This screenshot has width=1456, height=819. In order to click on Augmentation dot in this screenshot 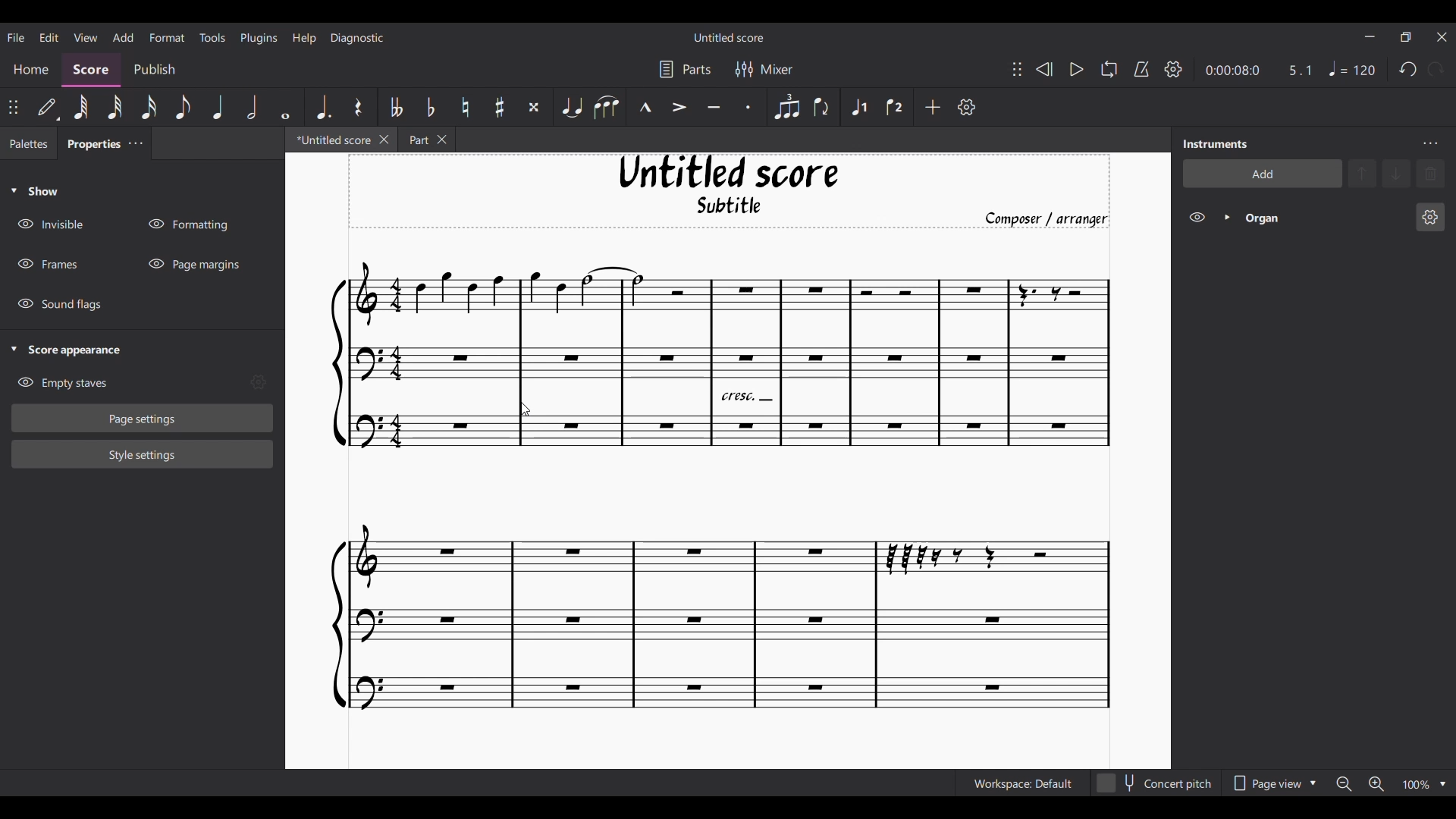, I will do `click(322, 106)`.